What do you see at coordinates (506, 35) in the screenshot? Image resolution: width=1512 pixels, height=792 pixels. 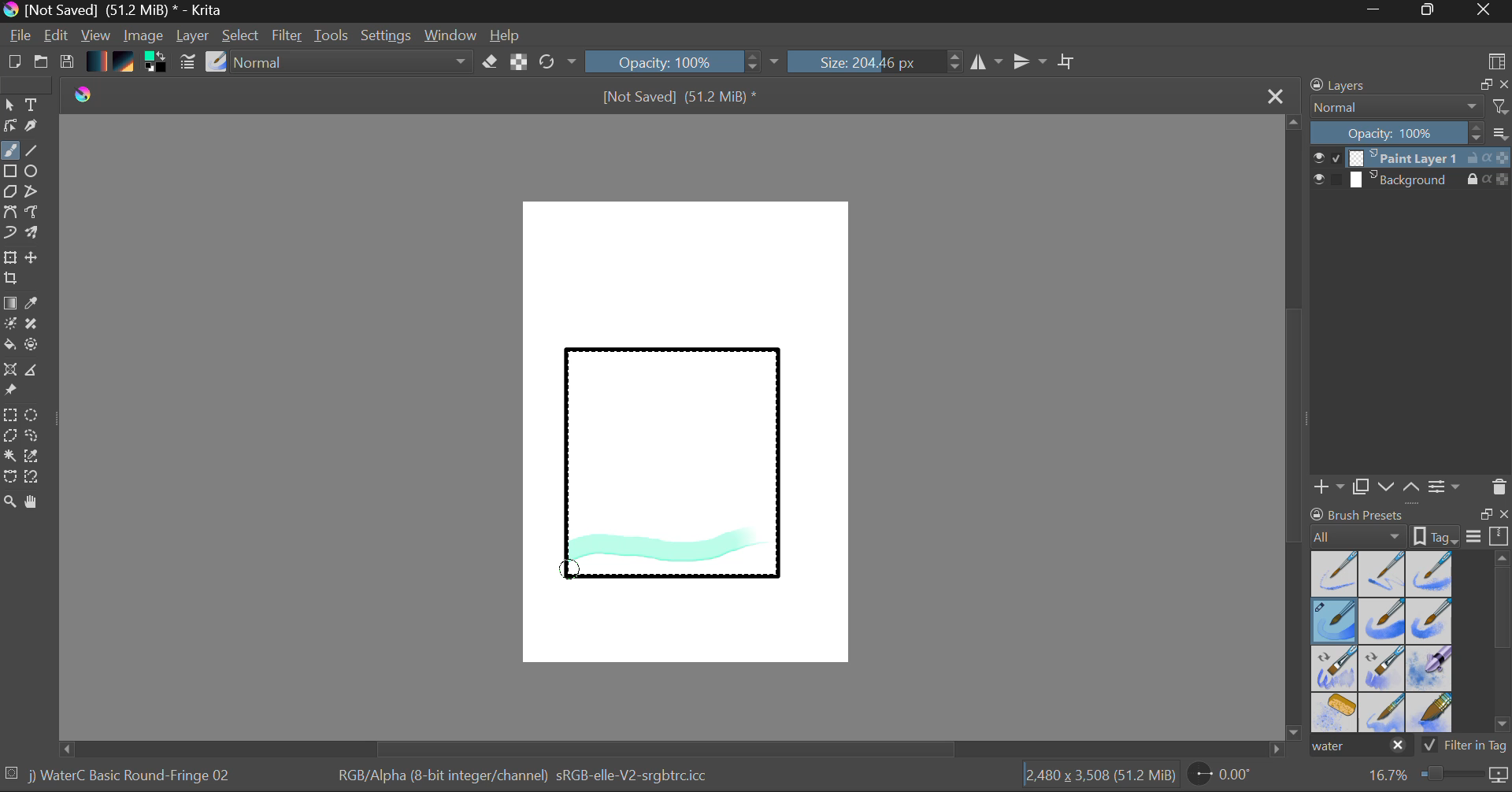 I see `Help` at bounding box center [506, 35].